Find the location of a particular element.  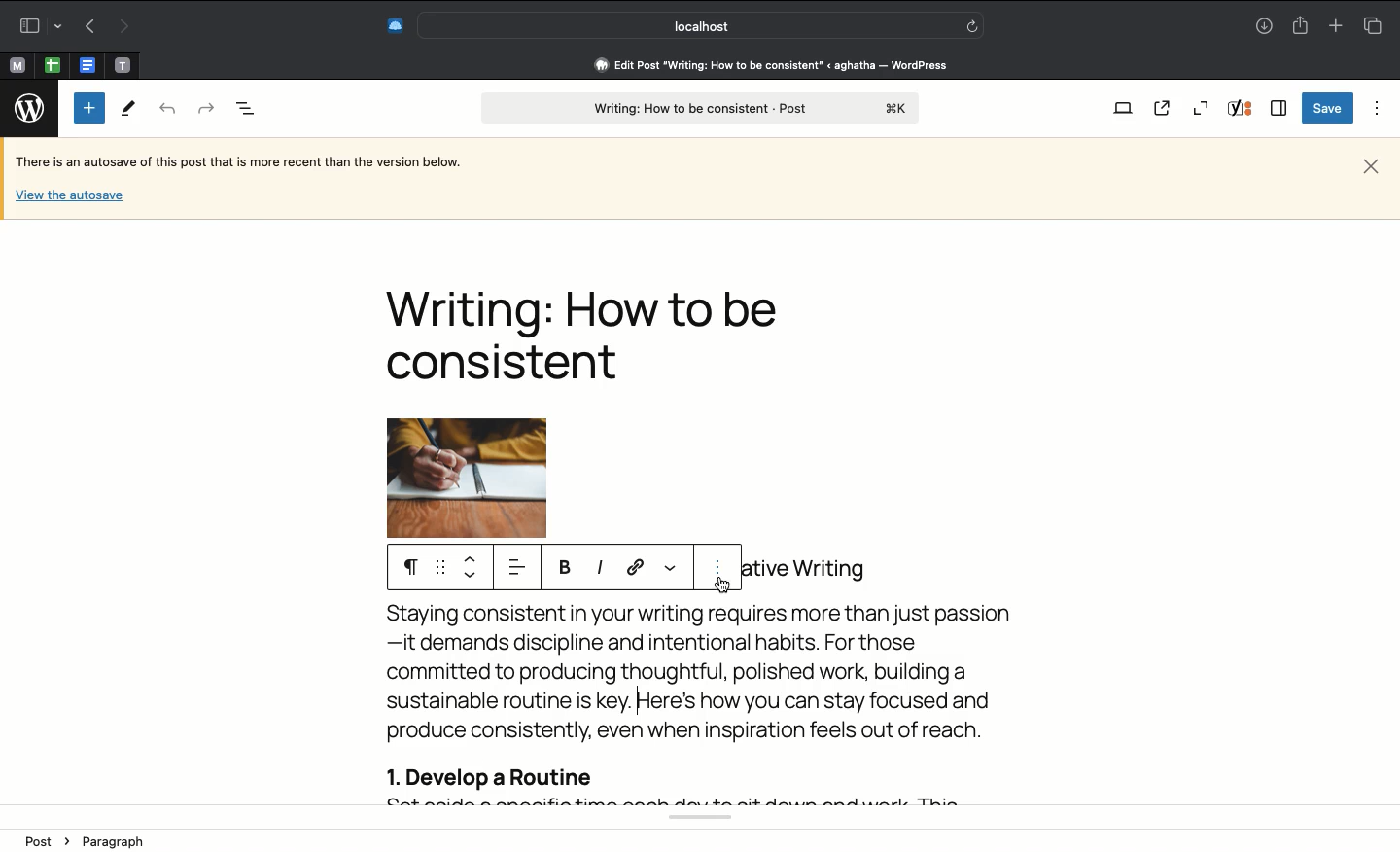

Extensions is located at coordinates (394, 23).